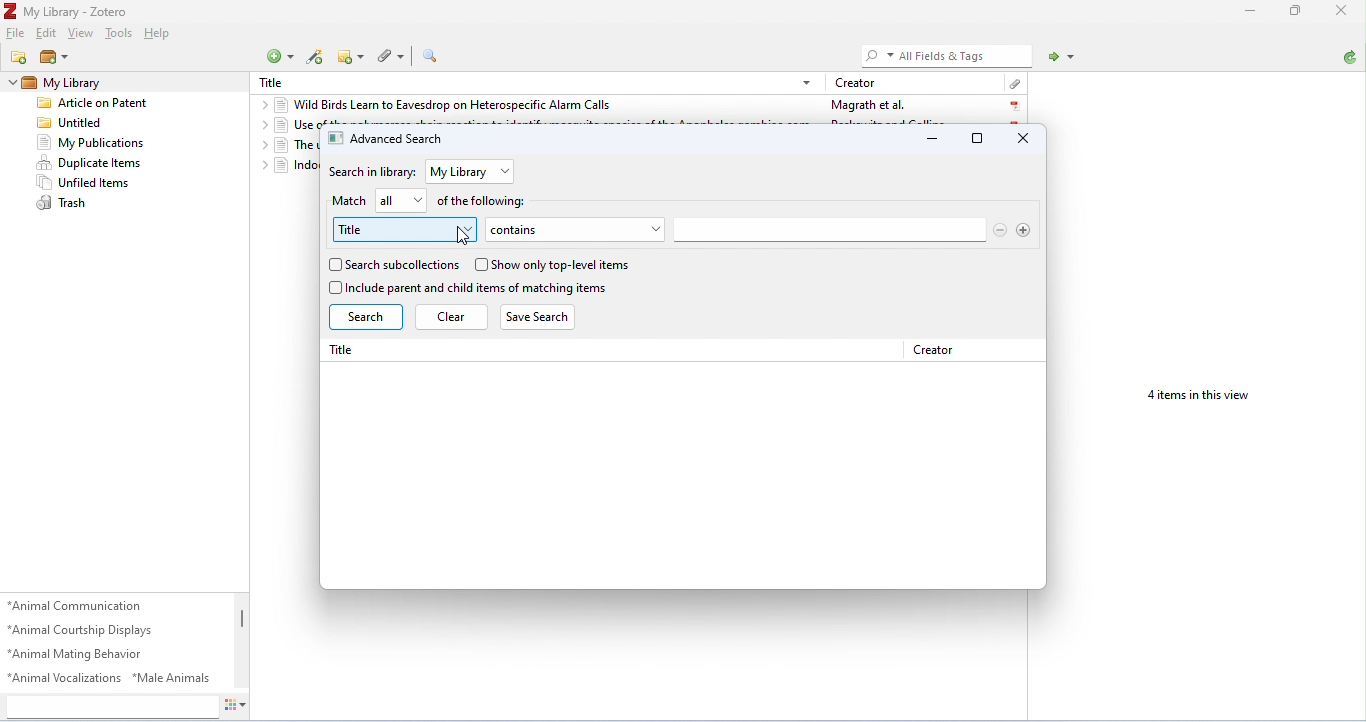  Describe the element at coordinates (346, 351) in the screenshot. I see `Title` at that location.